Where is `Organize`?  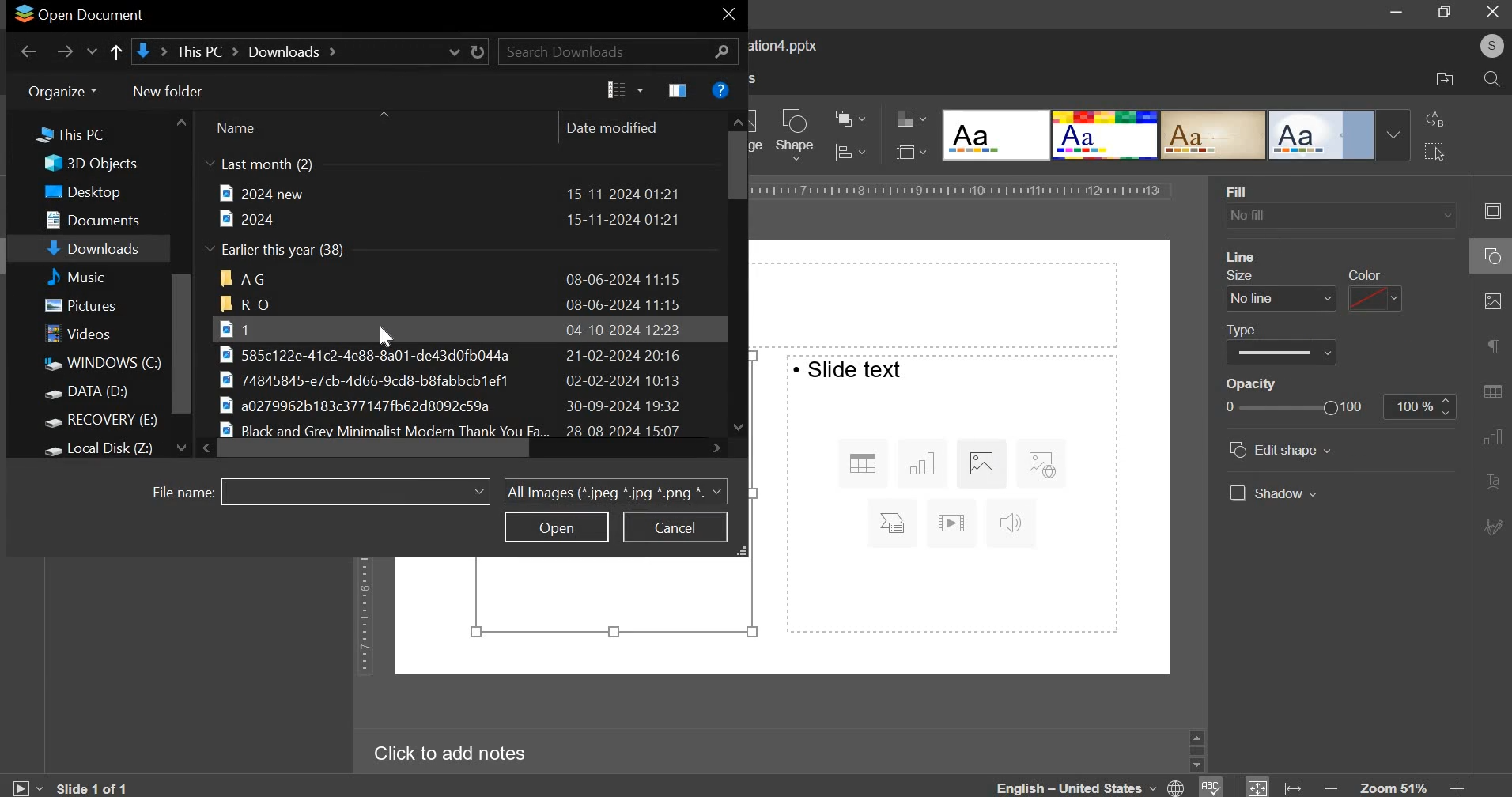 Organize is located at coordinates (60, 93).